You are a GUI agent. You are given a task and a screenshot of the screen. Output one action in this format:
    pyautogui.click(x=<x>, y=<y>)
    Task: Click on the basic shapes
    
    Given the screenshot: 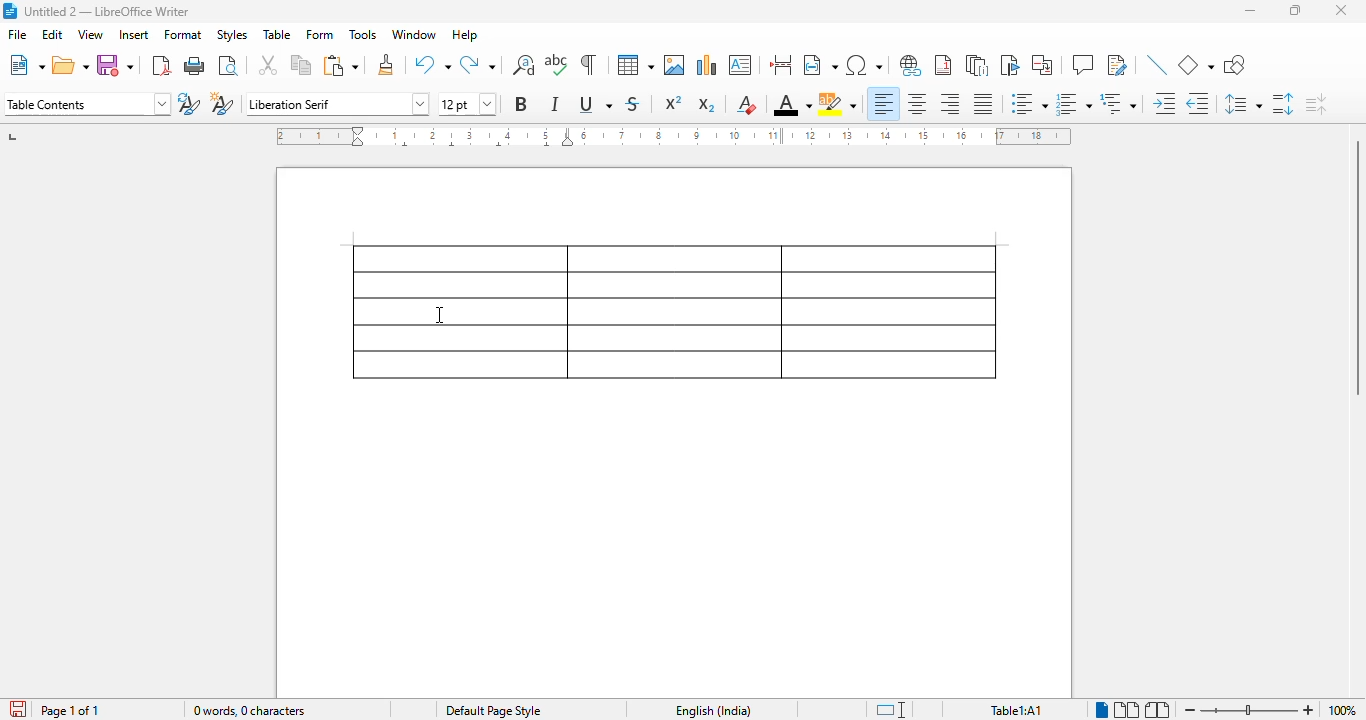 What is the action you would take?
    pyautogui.click(x=1196, y=65)
    